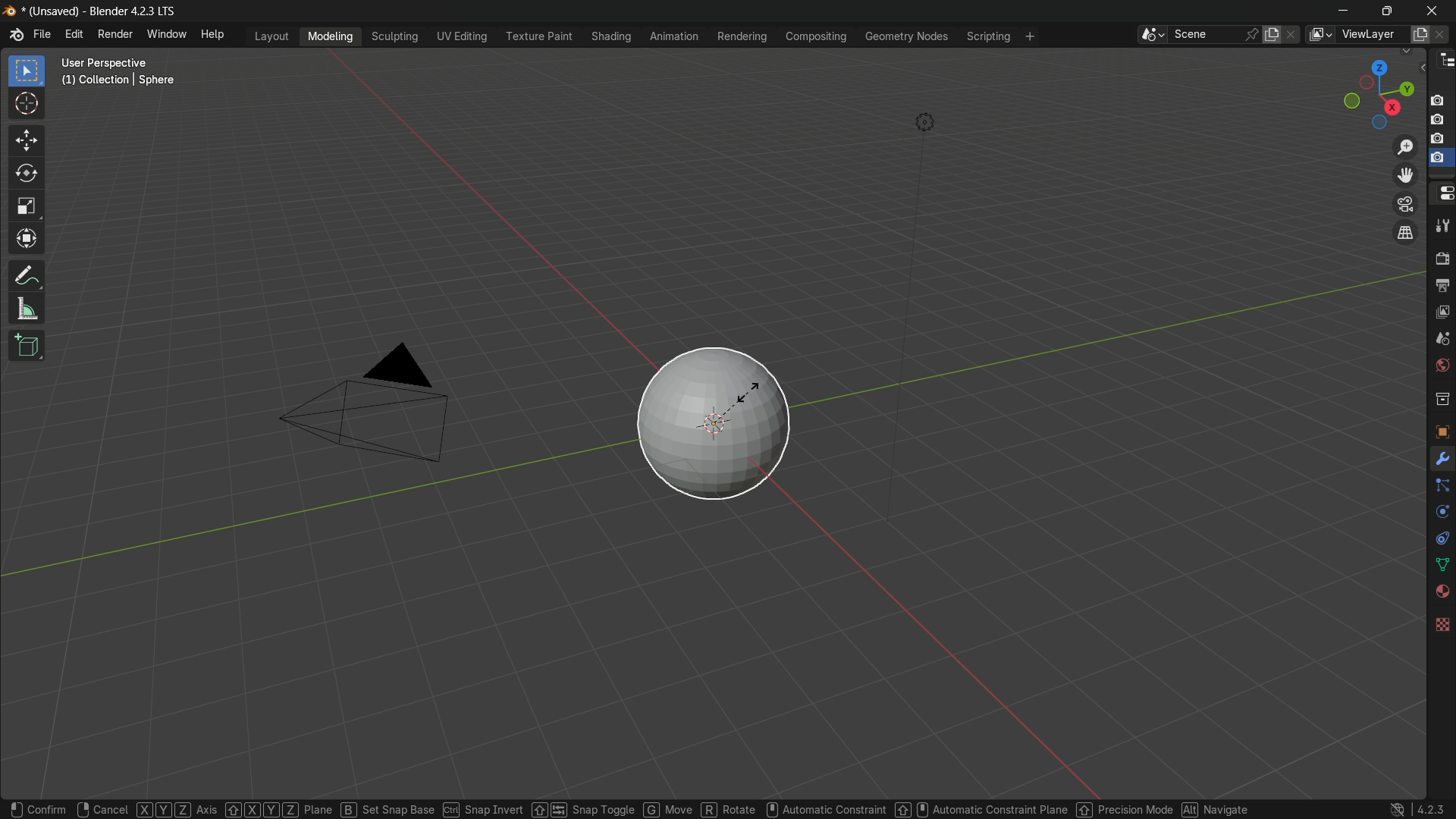 Image resolution: width=1456 pixels, height=819 pixels. I want to click on object, so click(1441, 428).